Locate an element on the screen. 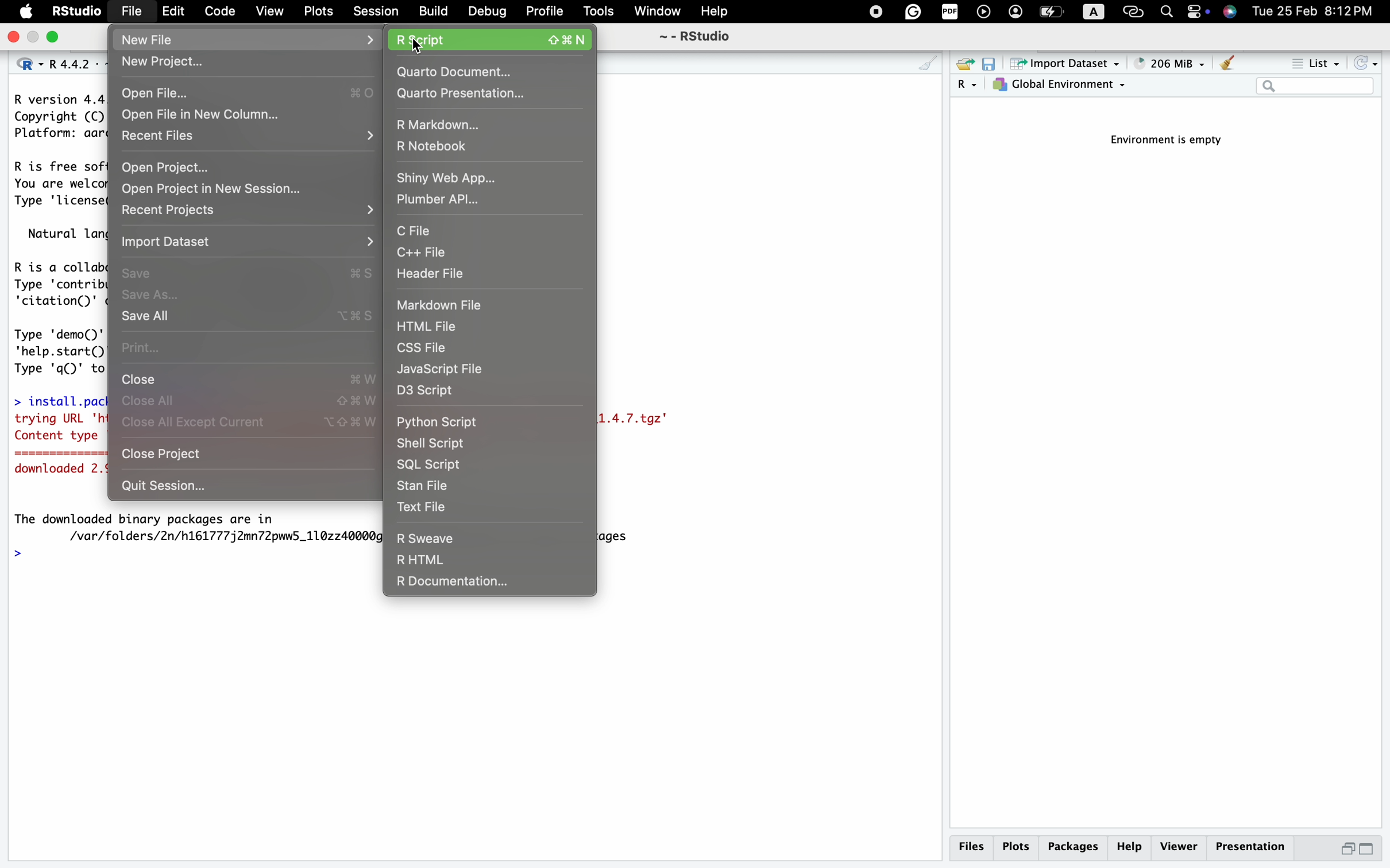  minimize is located at coordinates (1342, 852).